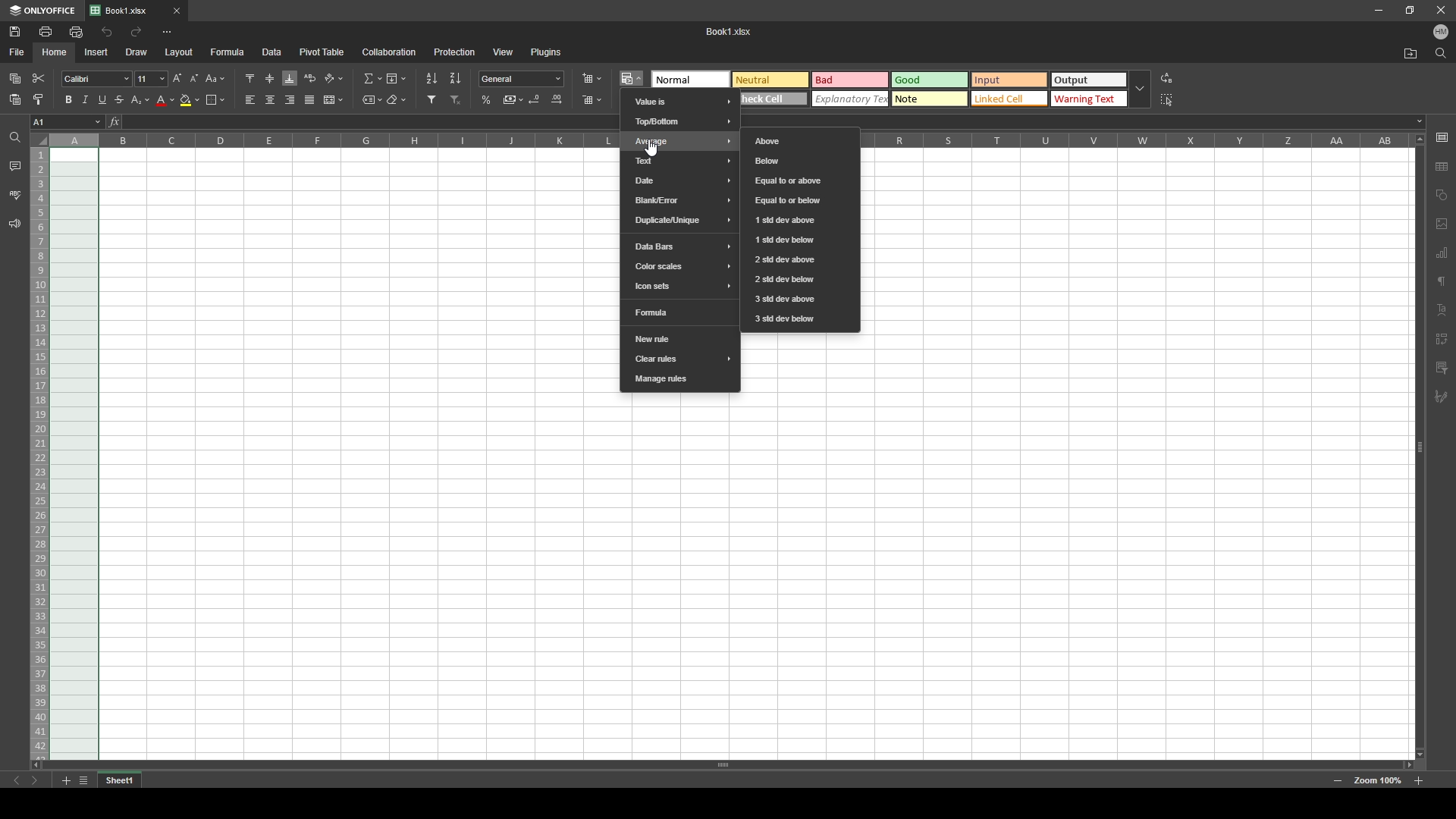 This screenshot has width=1456, height=819. I want to click on 2 std dev above, so click(801, 260).